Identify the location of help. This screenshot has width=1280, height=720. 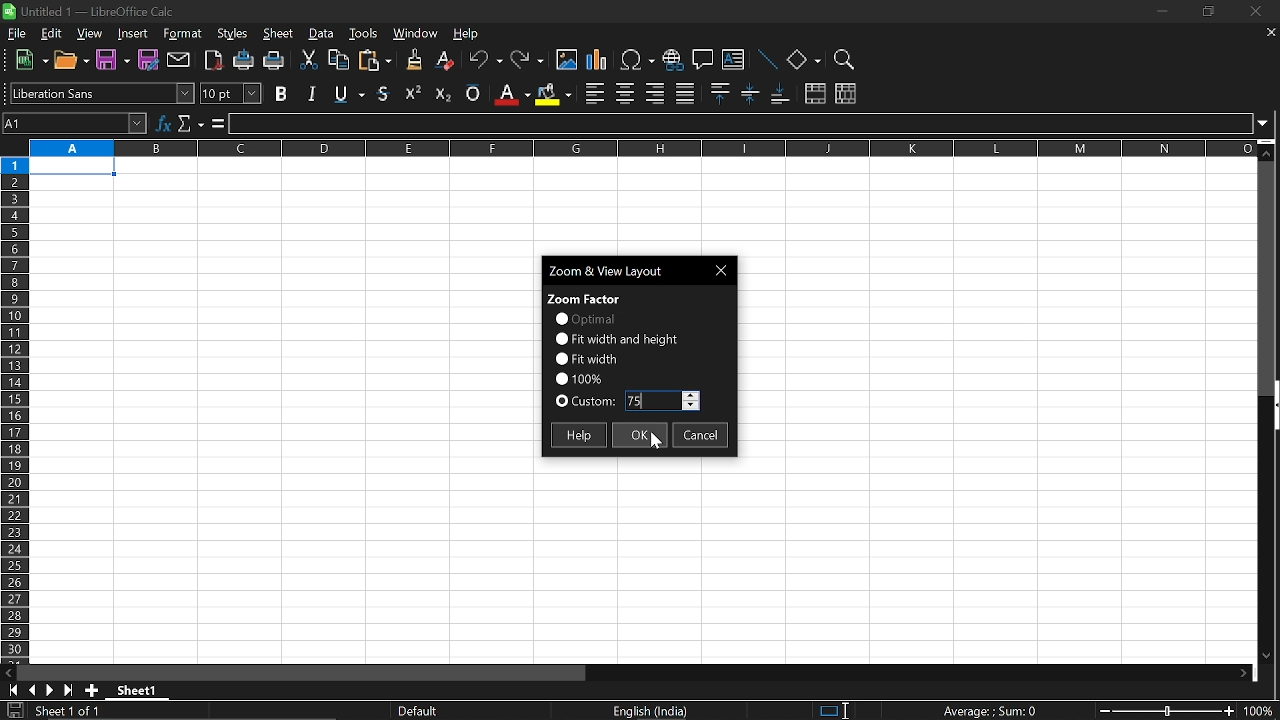
(468, 36).